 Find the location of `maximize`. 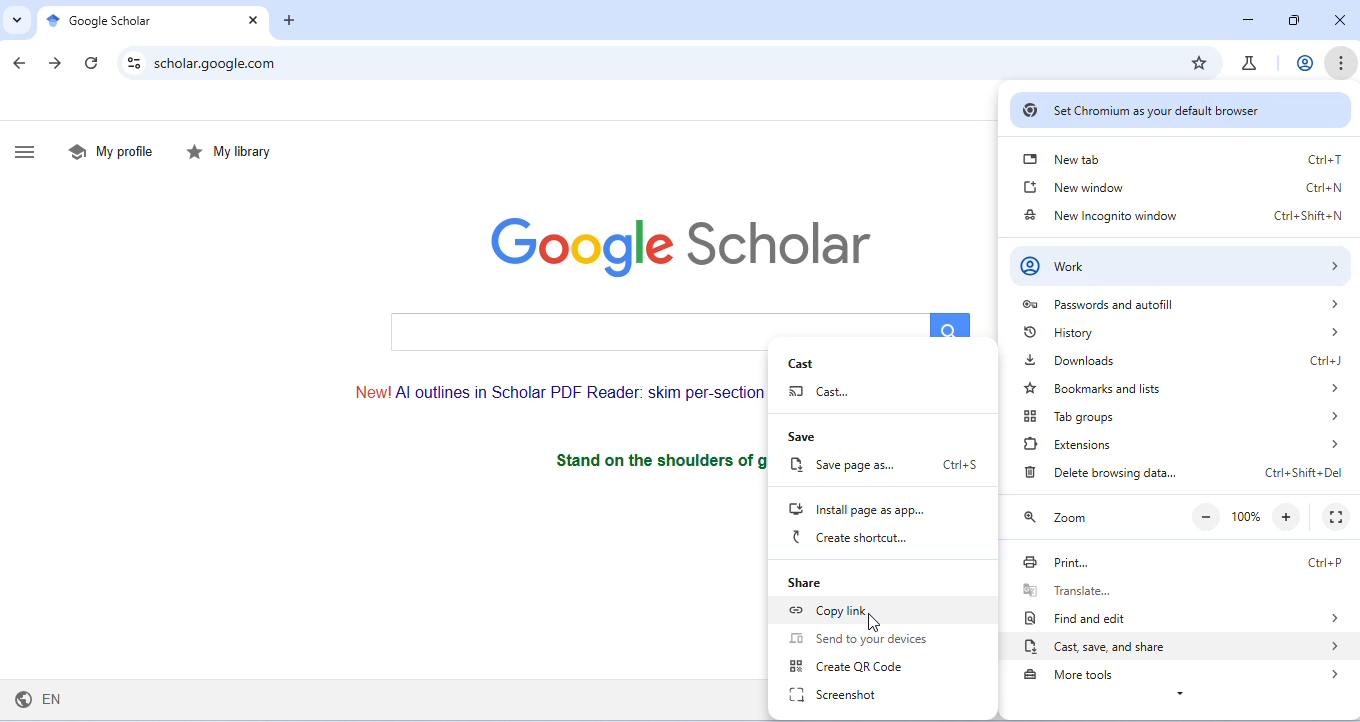

maximize is located at coordinates (1293, 22).